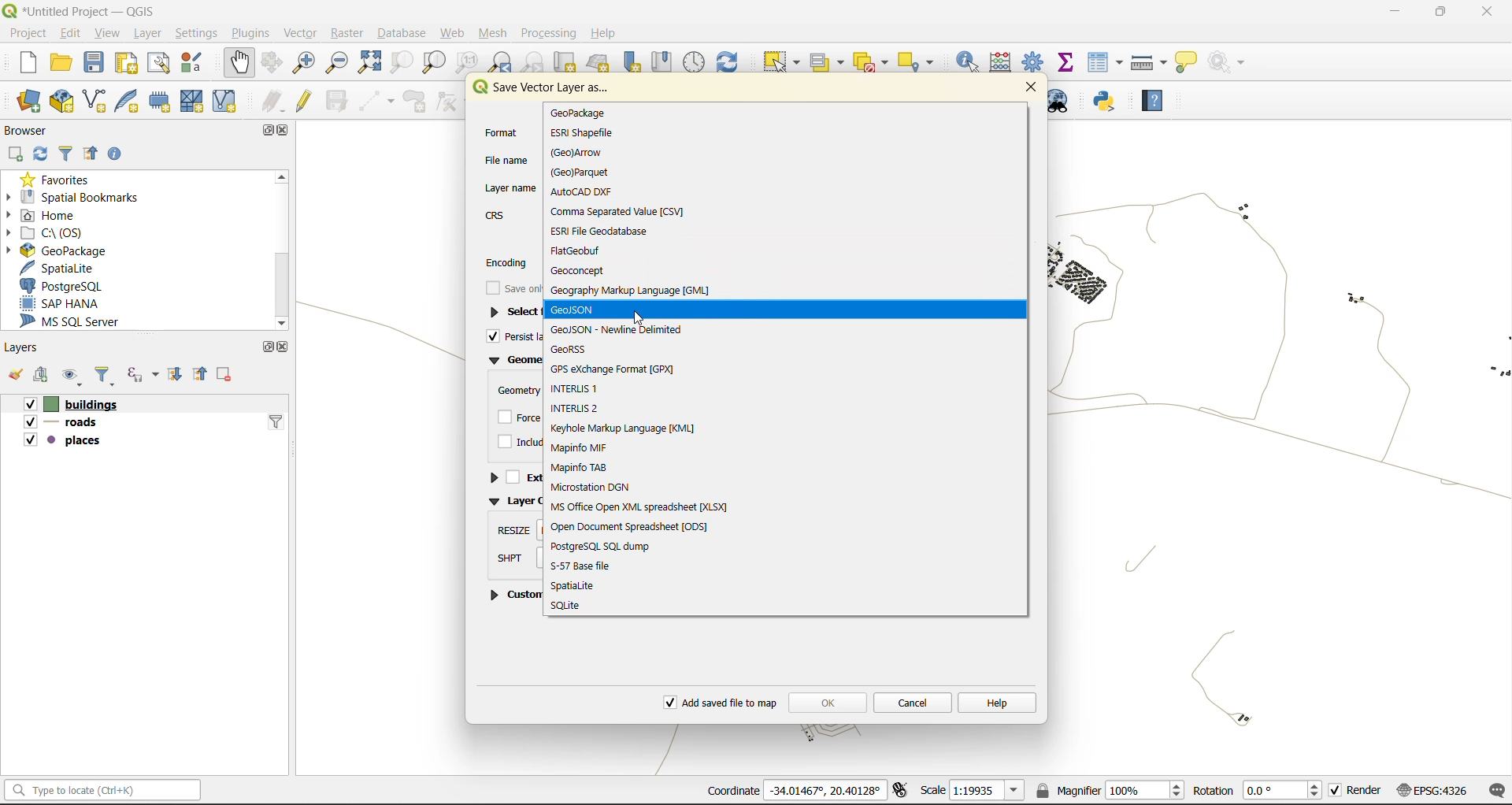 The width and height of the screenshot is (1512, 805). I want to click on help, so click(997, 702).